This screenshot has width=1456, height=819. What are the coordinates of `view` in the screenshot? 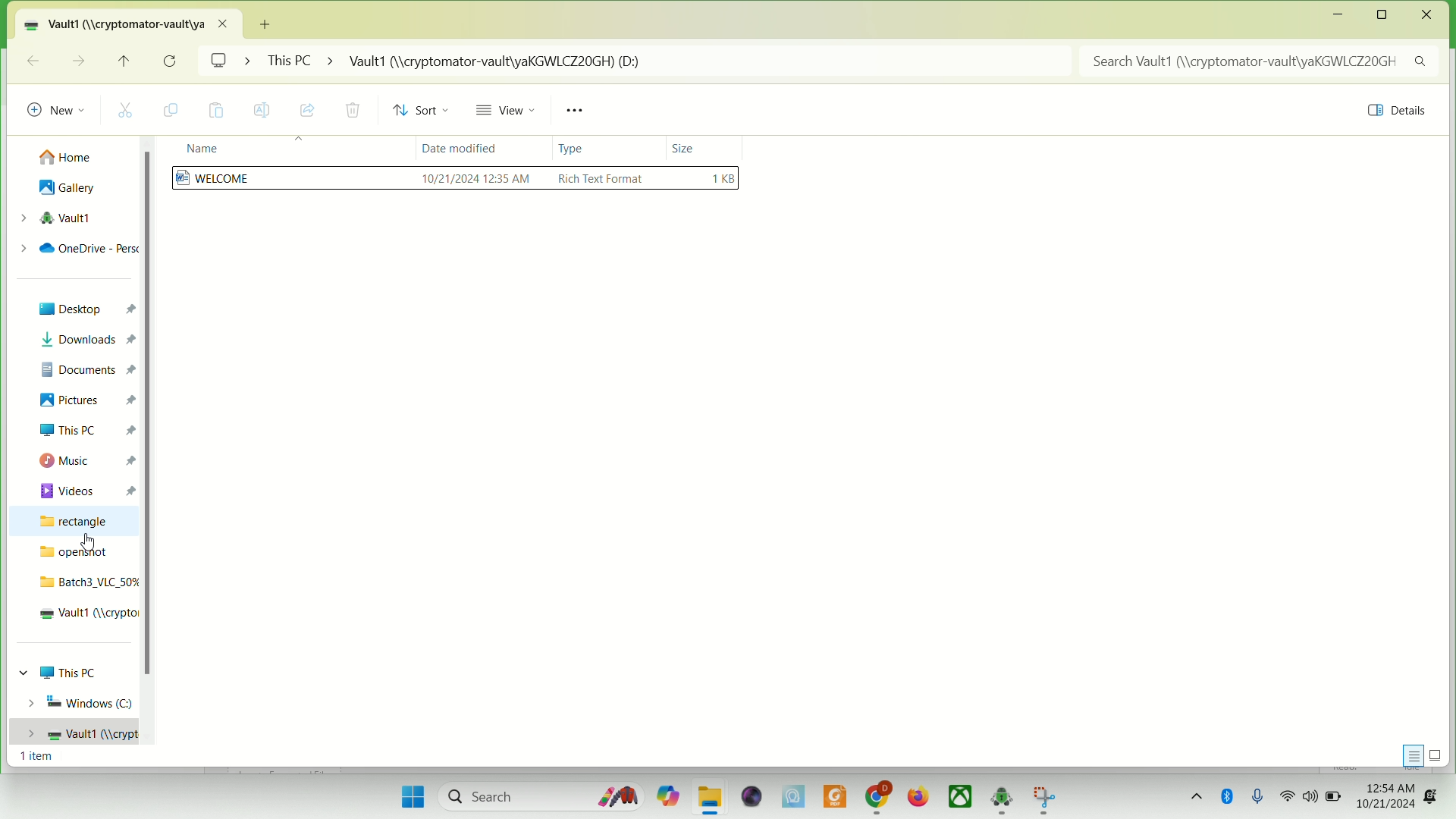 It's located at (510, 113).